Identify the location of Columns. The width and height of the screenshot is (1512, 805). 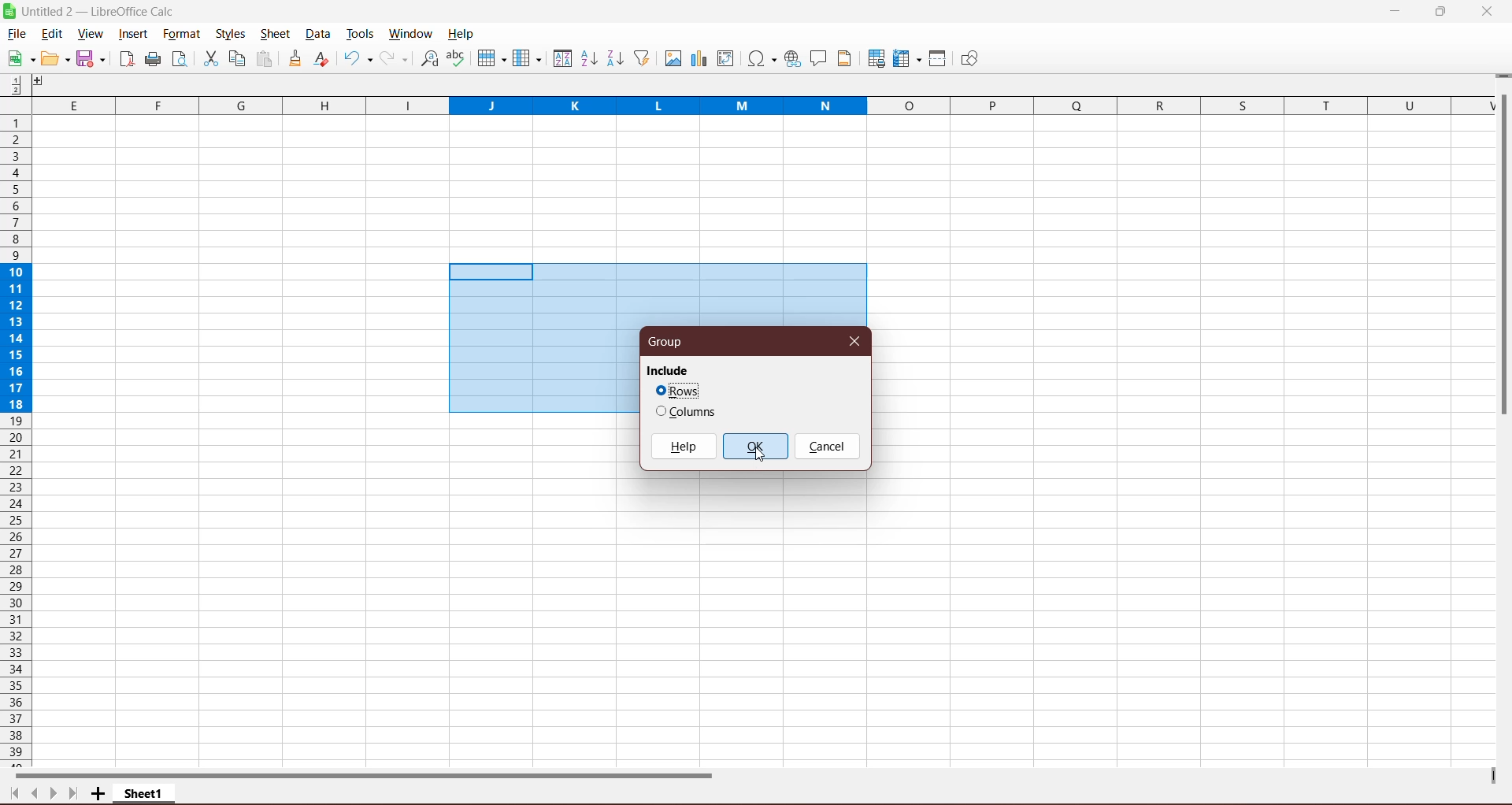
(527, 58).